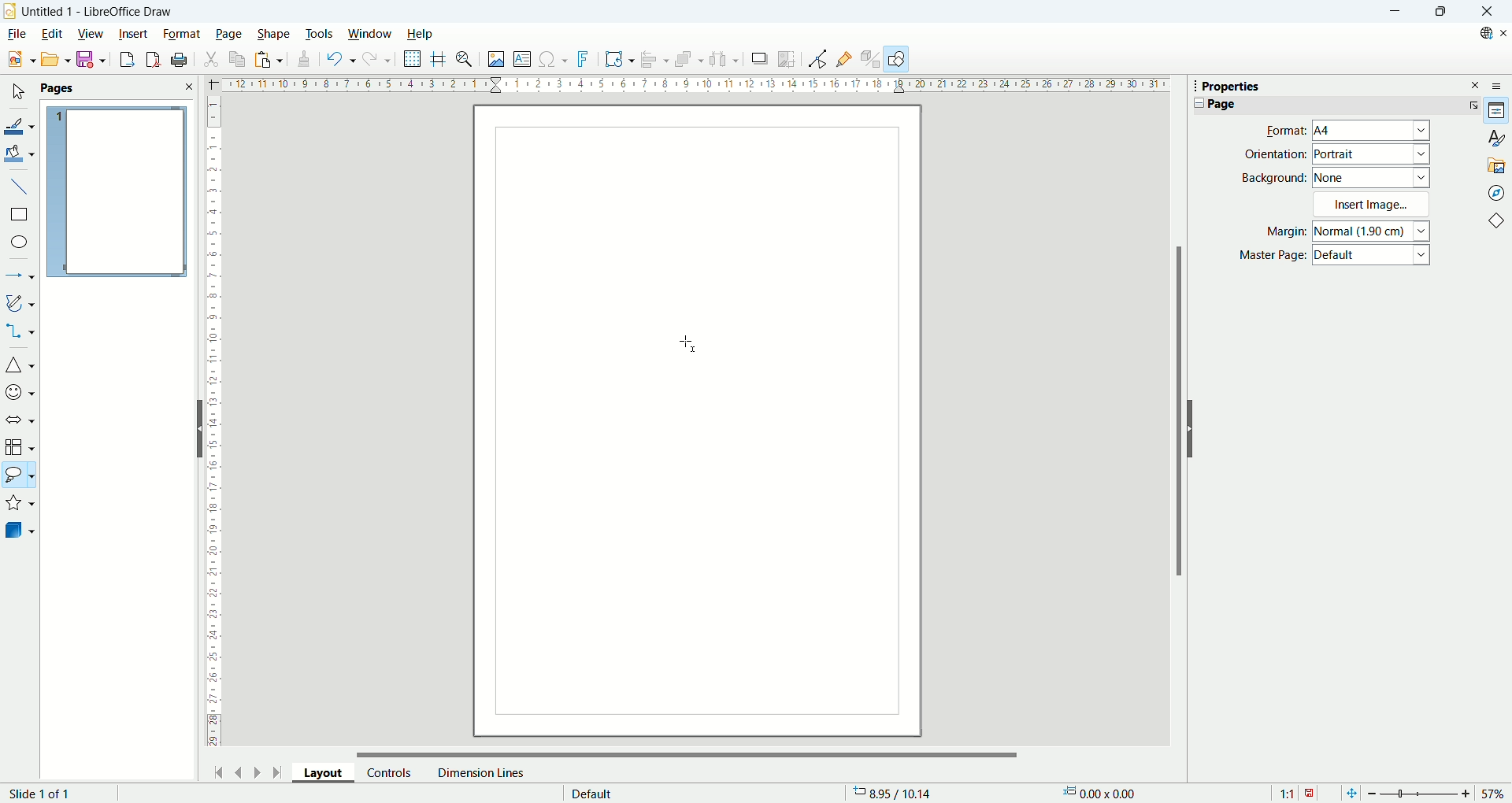 The image size is (1512, 803). I want to click on page, so click(117, 193).